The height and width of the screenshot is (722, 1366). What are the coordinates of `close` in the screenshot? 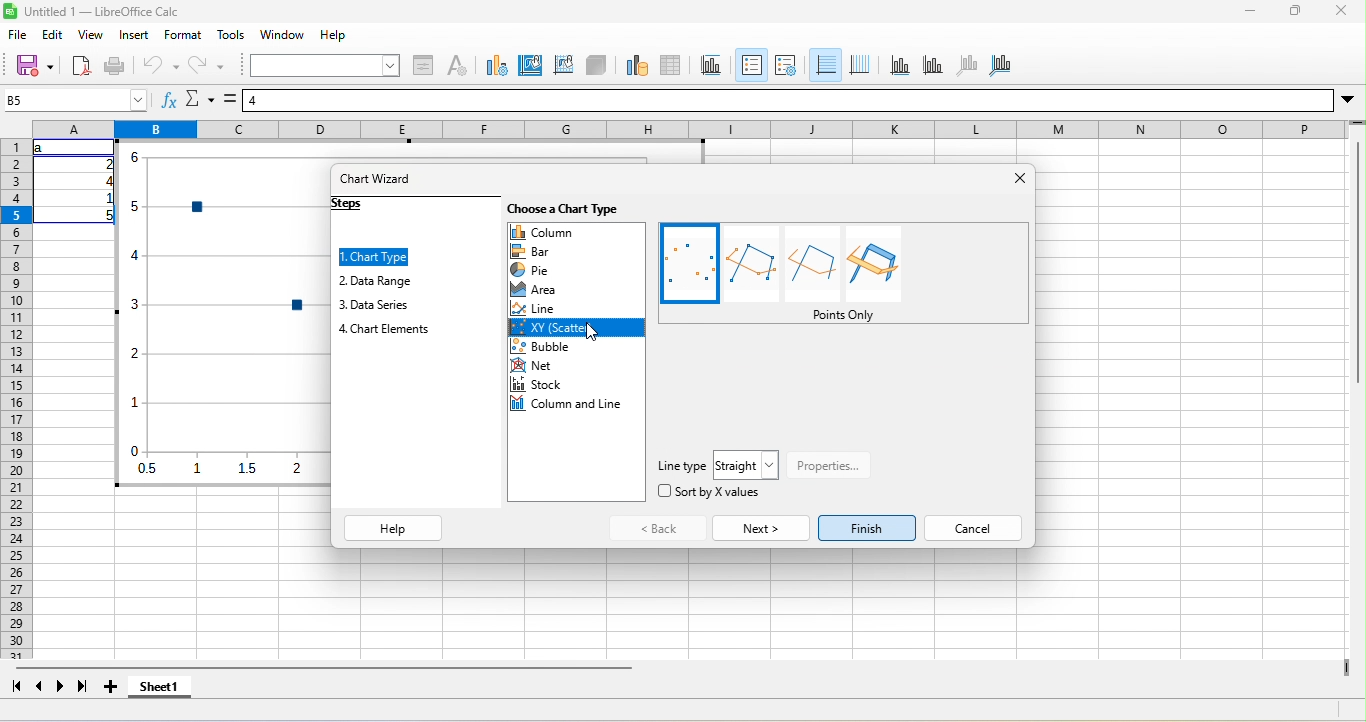 It's located at (1341, 10).